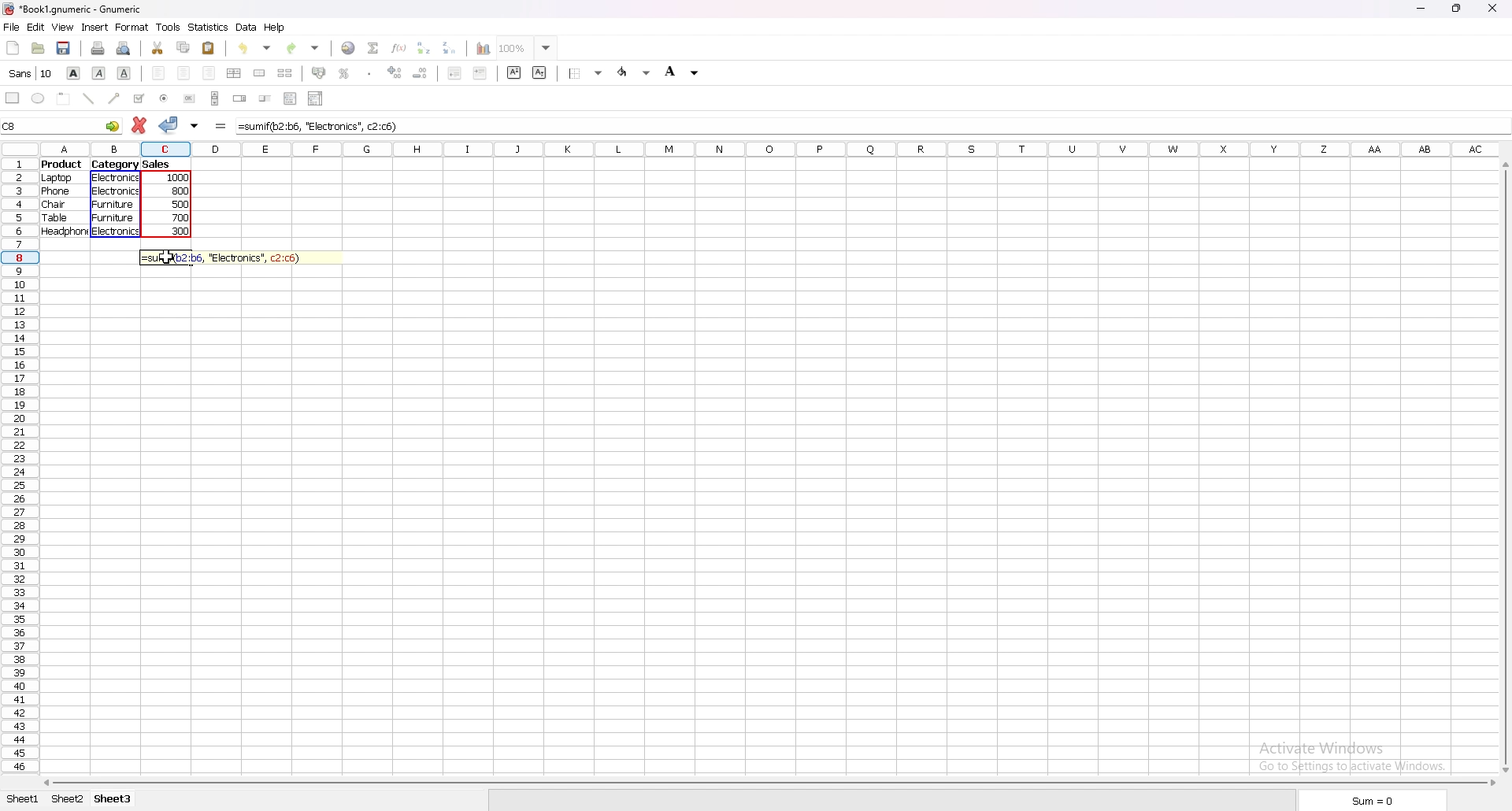 The width and height of the screenshot is (1512, 811). What do you see at coordinates (235, 73) in the screenshot?
I see `centre horizontally` at bounding box center [235, 73].